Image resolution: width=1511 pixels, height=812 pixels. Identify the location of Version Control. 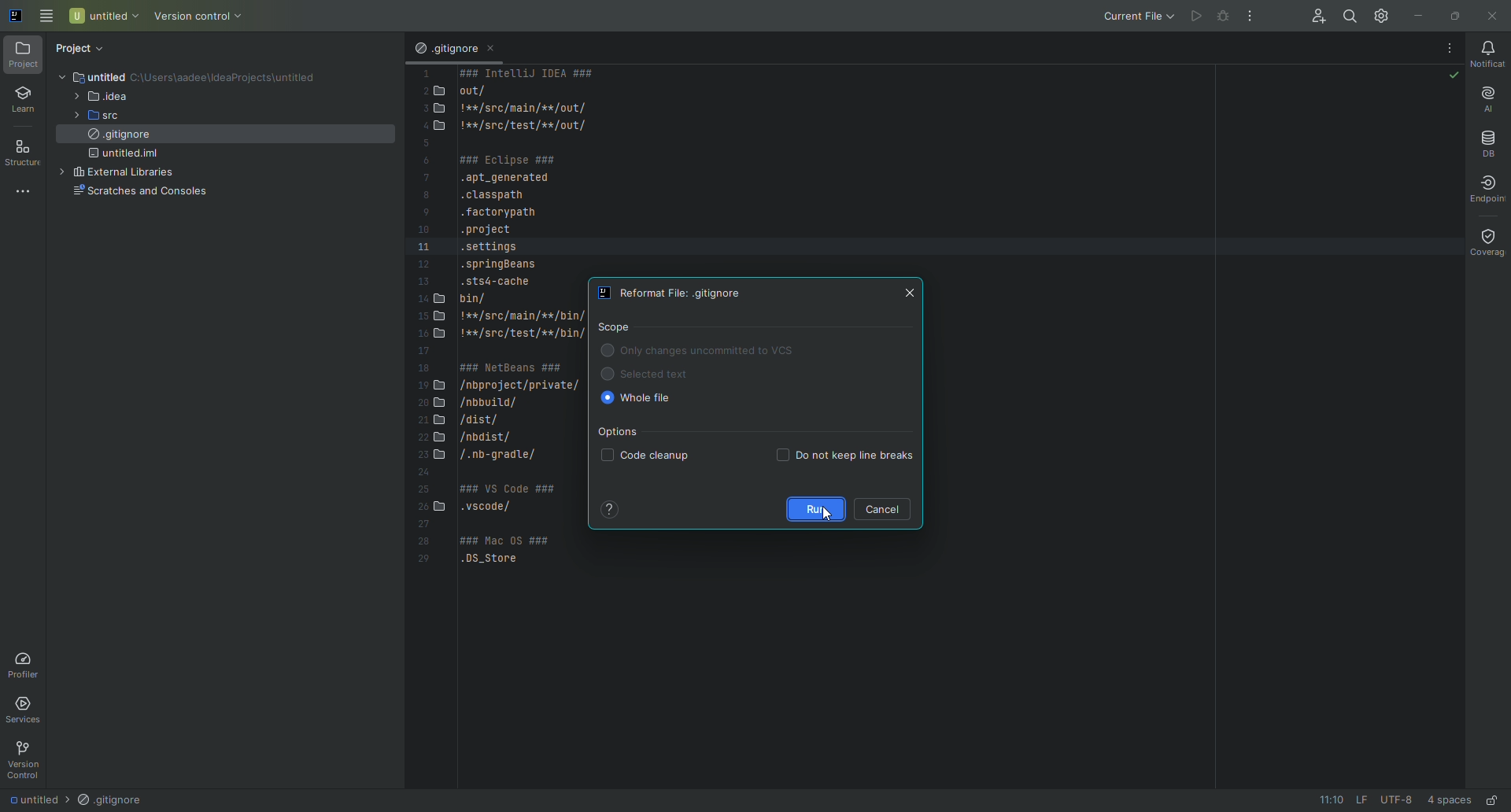
(24, 758).